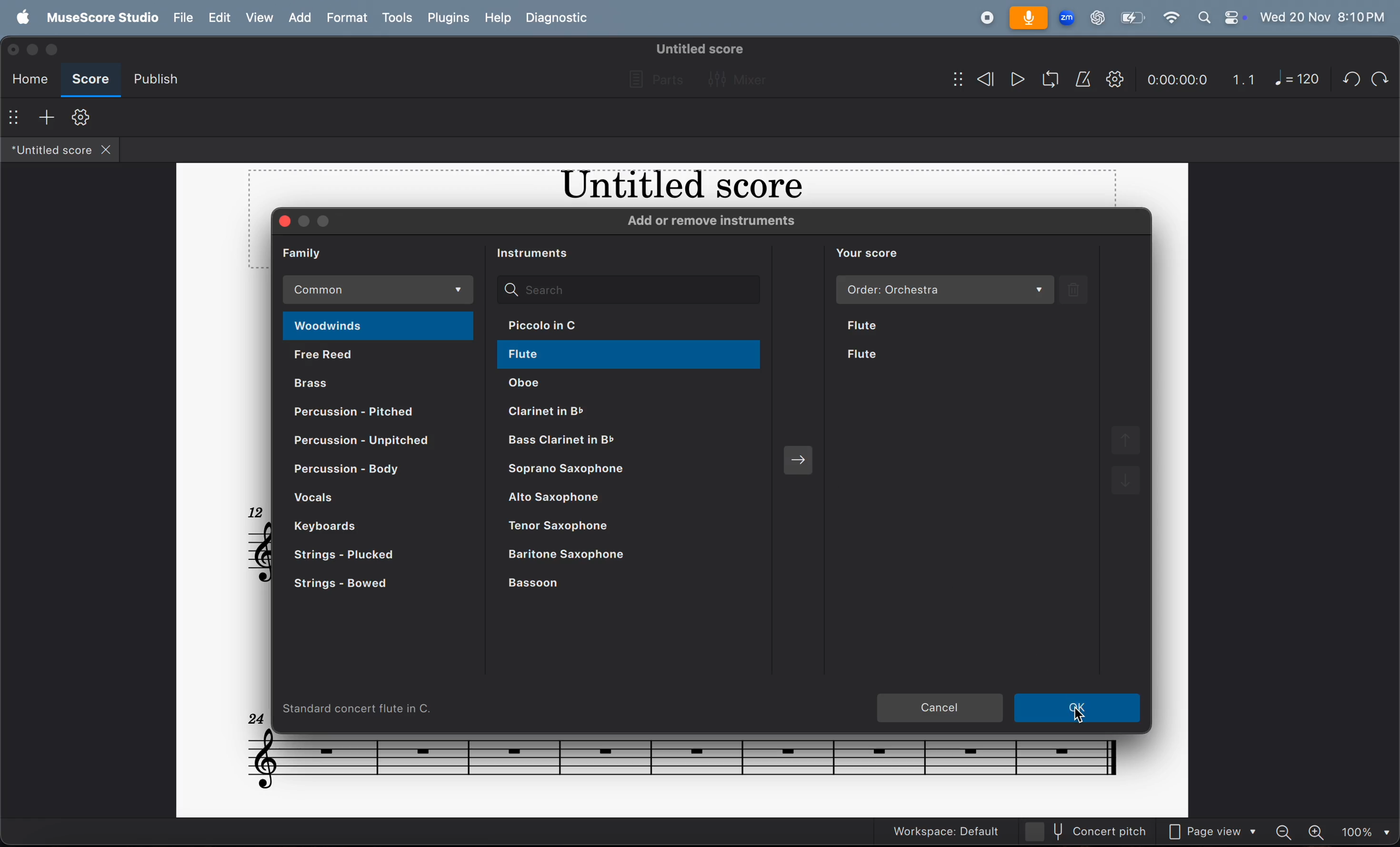  I want to click on bass clarinet in b, so click(630, 444).